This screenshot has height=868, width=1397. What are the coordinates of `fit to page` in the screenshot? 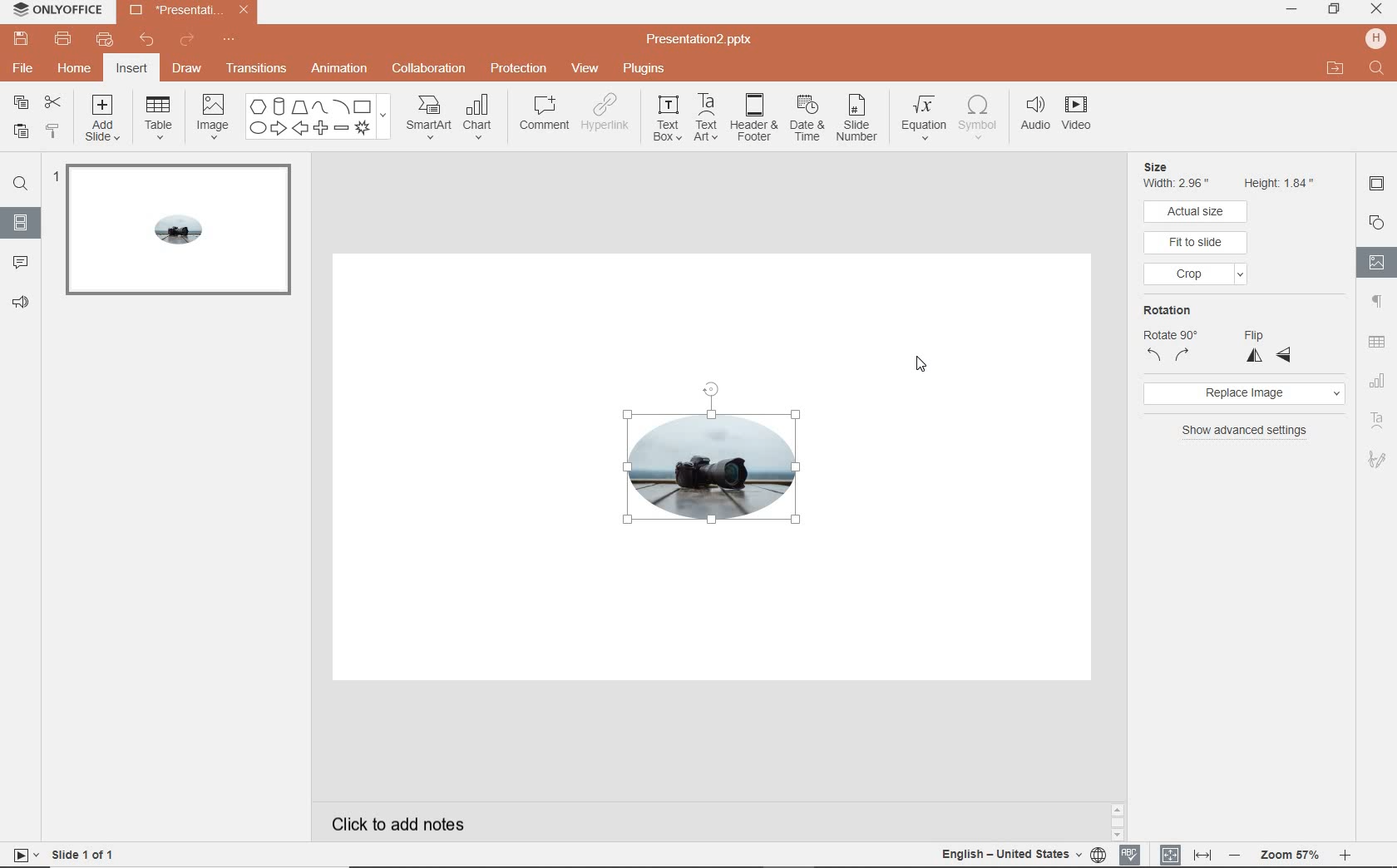 It's located at (1171, 854).